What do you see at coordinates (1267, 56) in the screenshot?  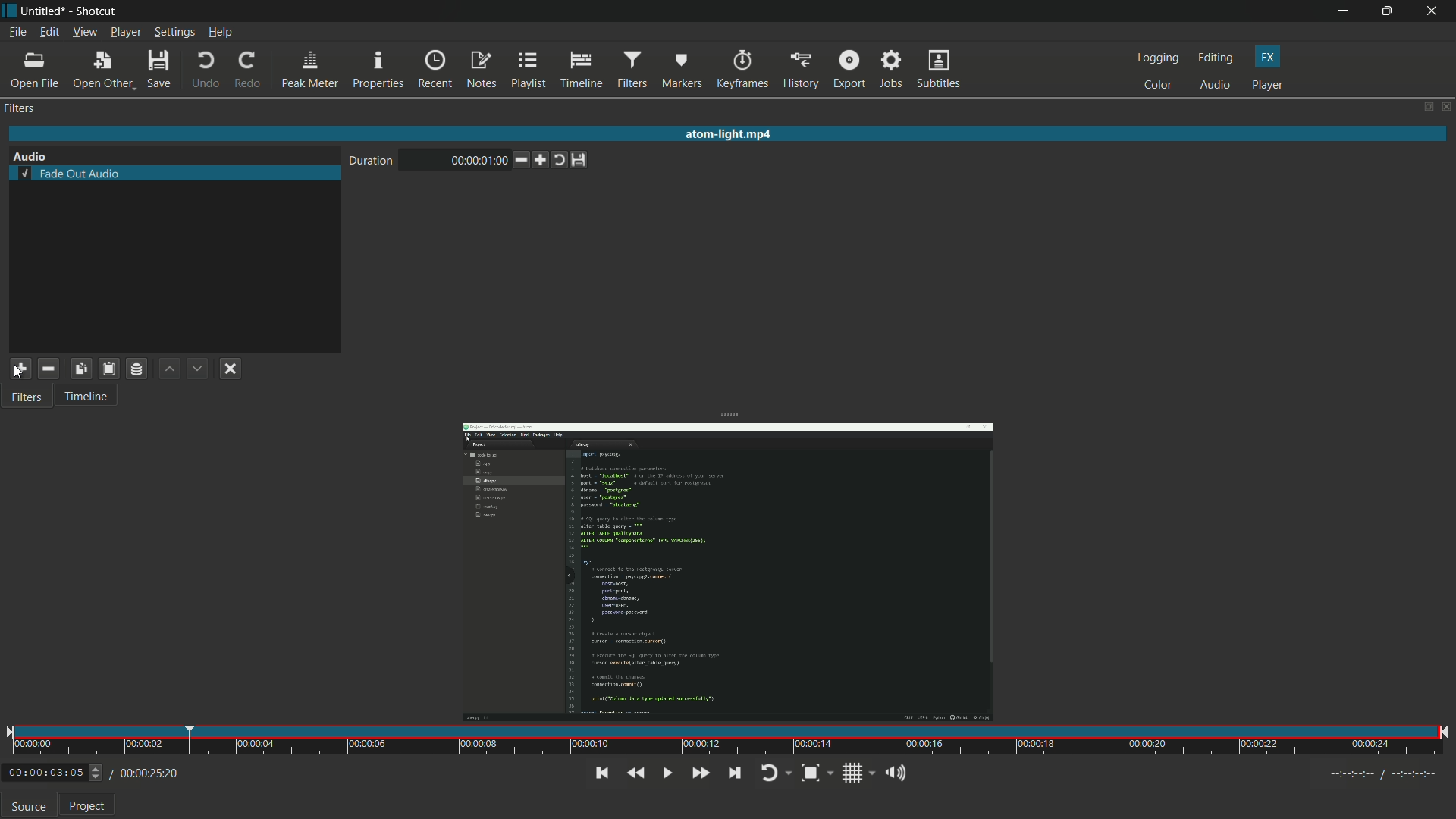 I see `fx` at bounding box center [1267, 56].